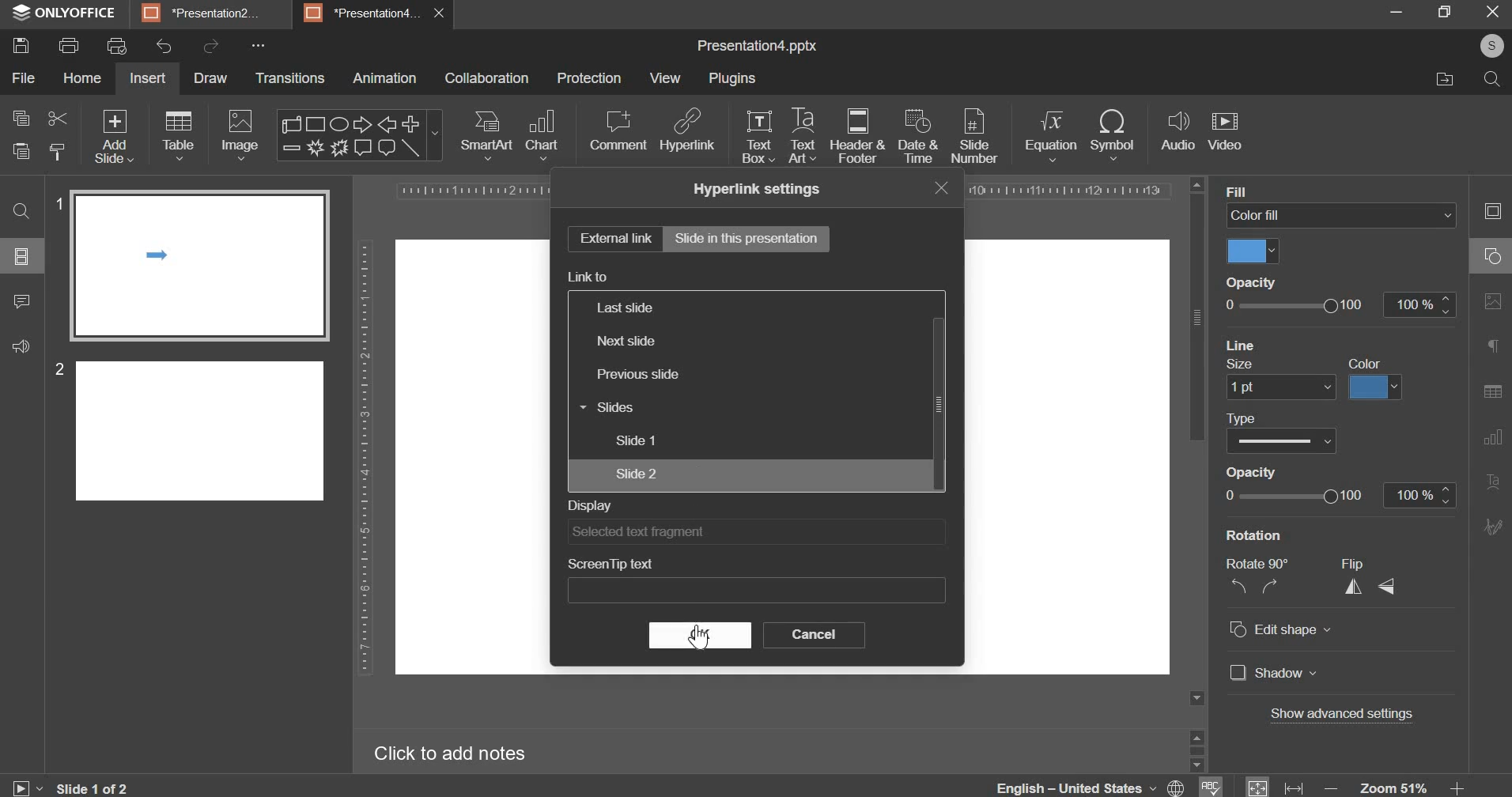  Describe the element at coordinates (701, 640) in the screenshot. I see `Cursor` at that location.